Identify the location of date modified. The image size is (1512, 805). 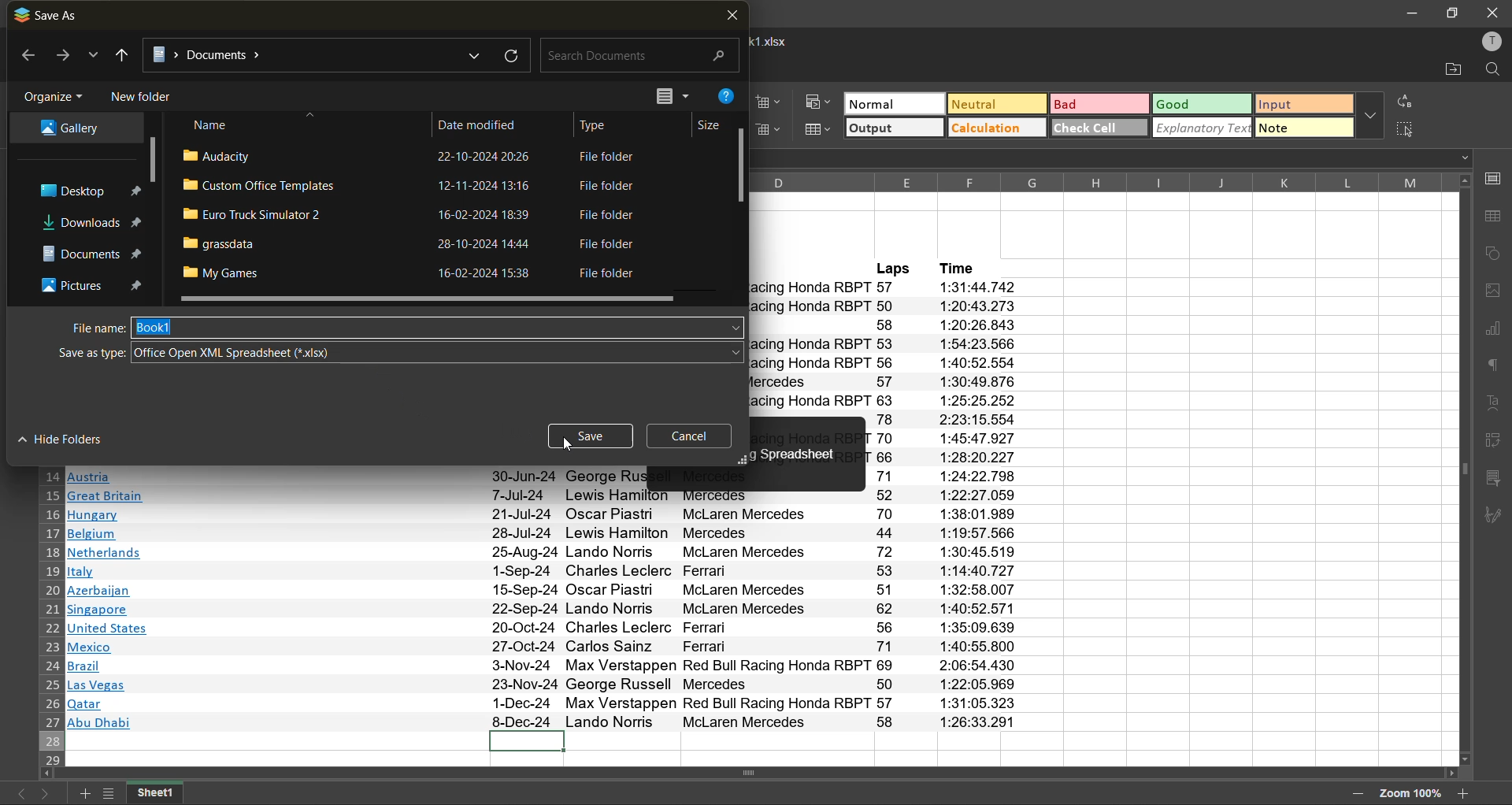
(483, 124).